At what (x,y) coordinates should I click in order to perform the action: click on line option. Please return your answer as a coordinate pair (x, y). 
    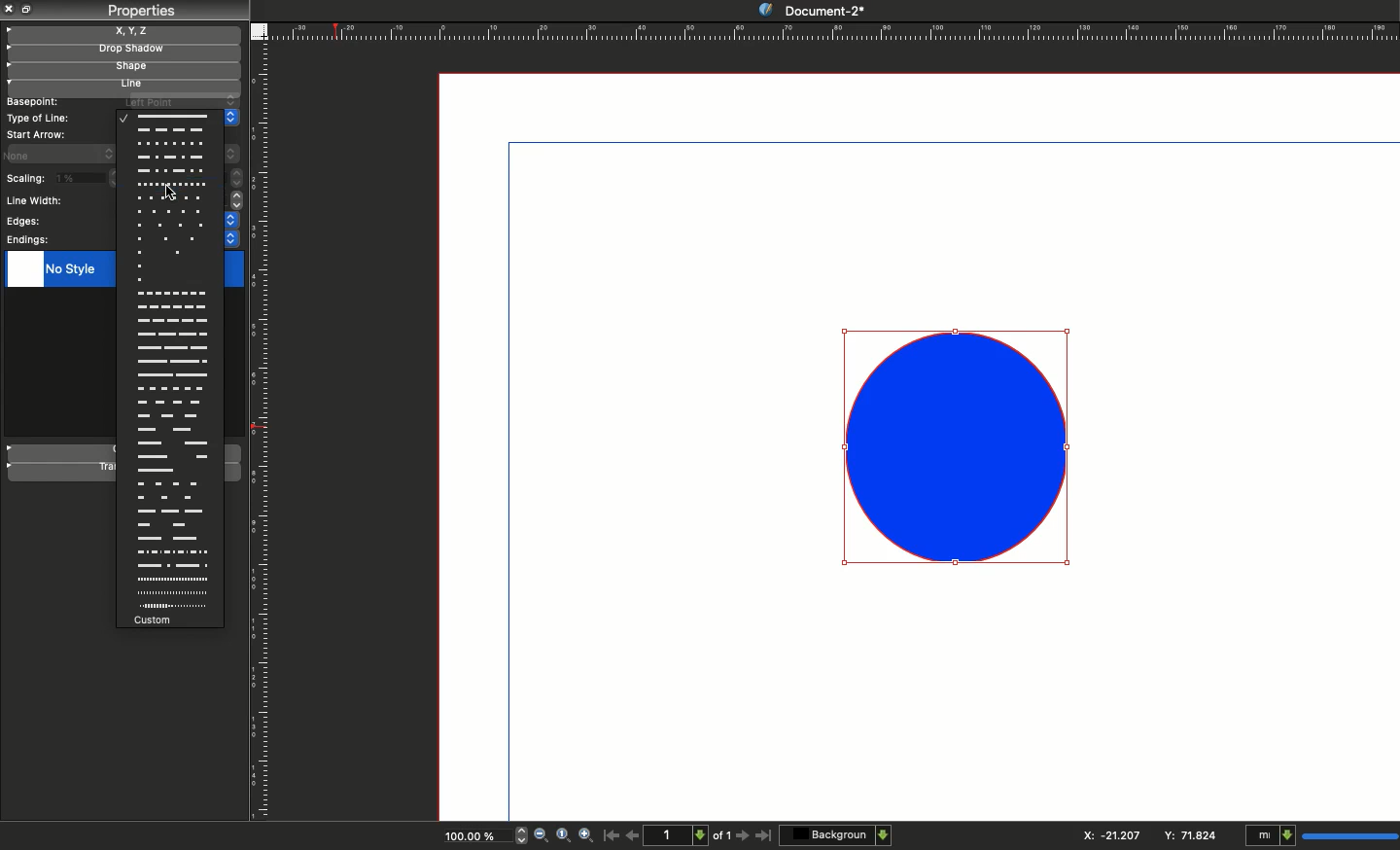
    Looking at the image, I should click on (171, 374).